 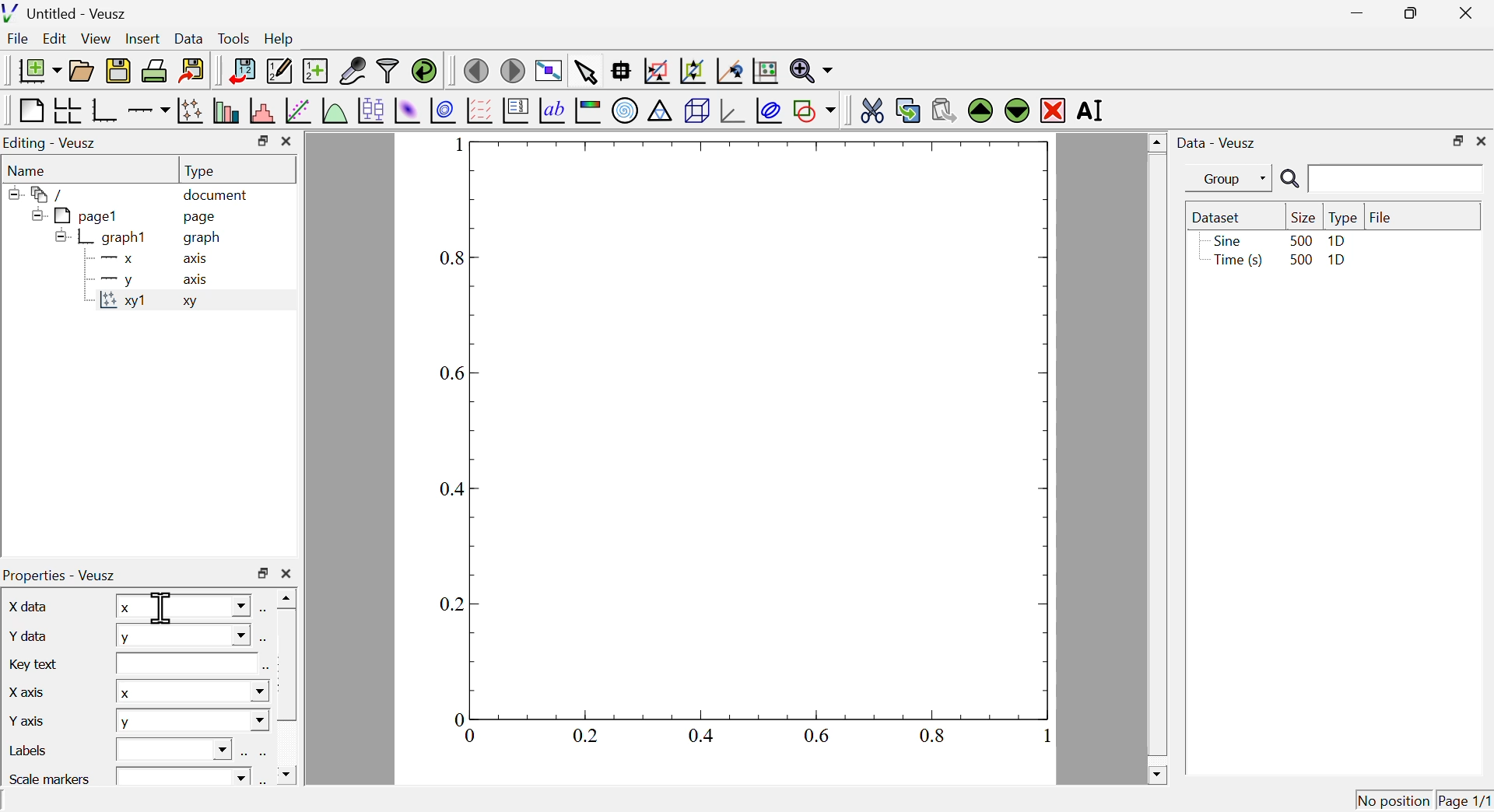 What do you see at coordinates (202, 238) in the screenshot?
I see `graph` at bounding box center [202, 238].